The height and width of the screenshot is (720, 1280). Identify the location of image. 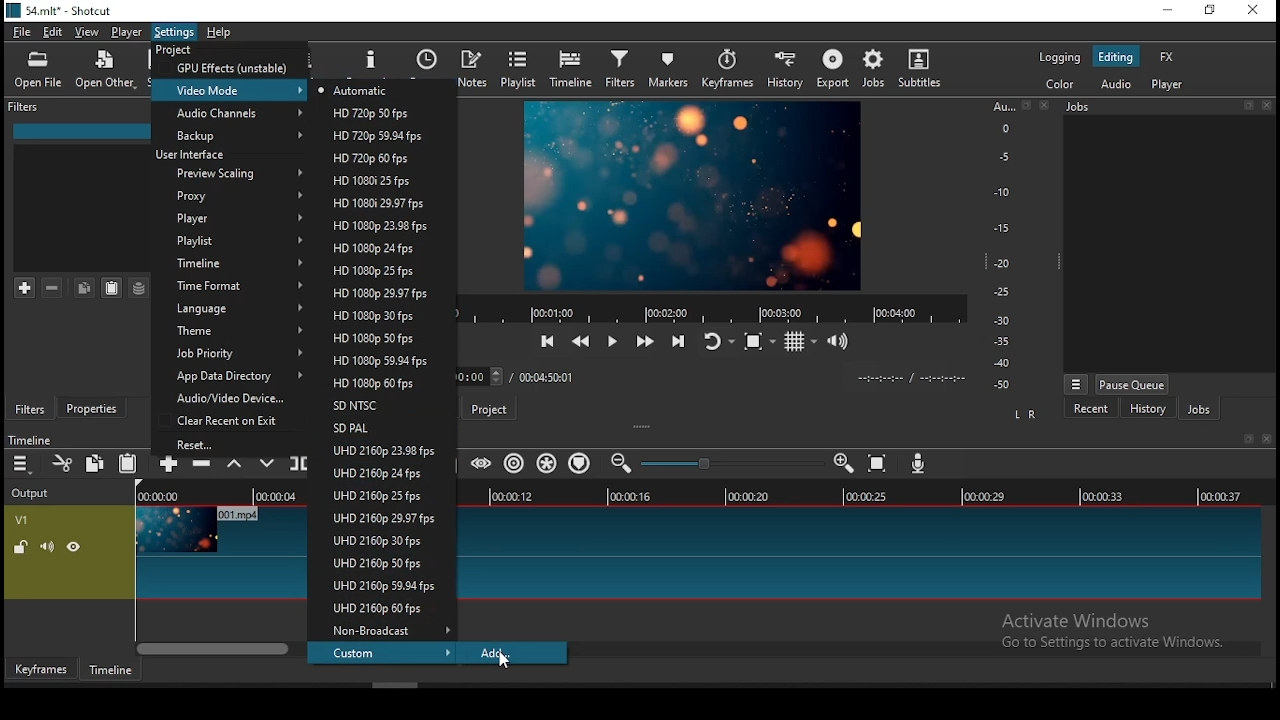
(177, 529).